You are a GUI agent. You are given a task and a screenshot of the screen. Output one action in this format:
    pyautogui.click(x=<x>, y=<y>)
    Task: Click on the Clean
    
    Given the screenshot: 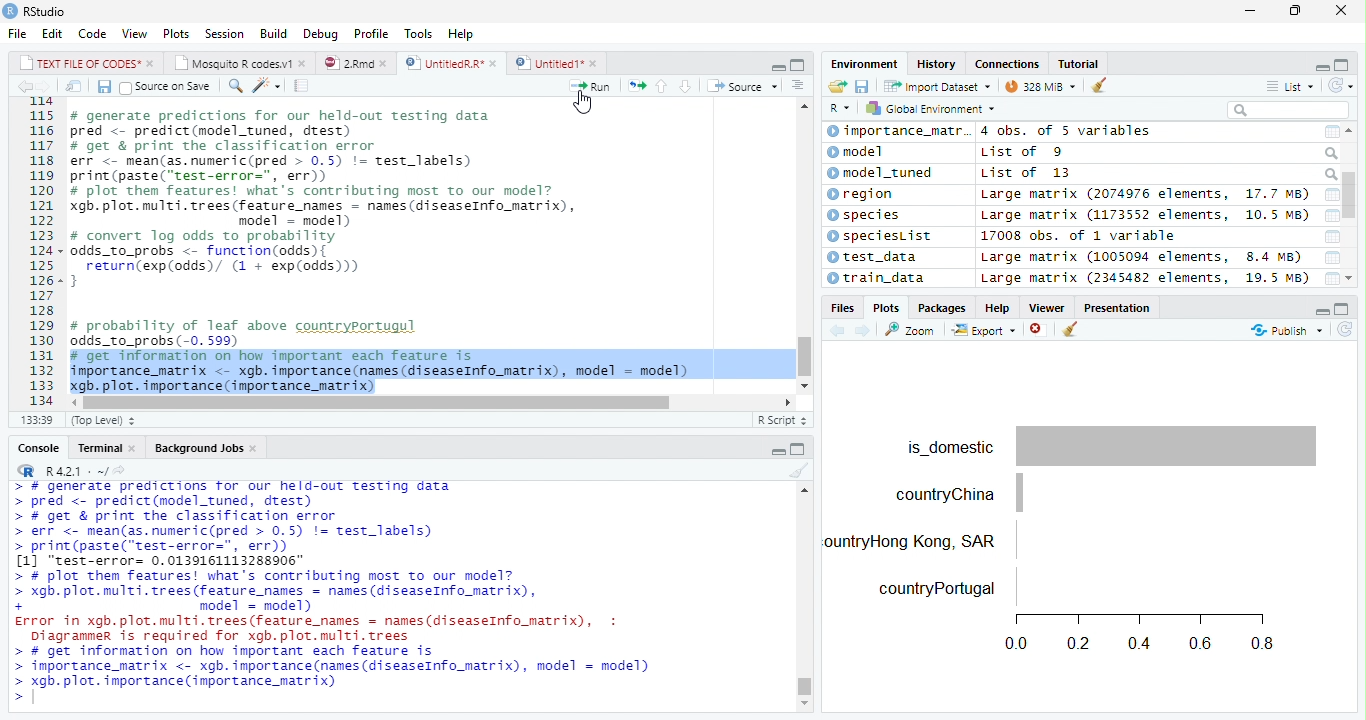 What is the action you would take?
    pyautogui.click(x=795, y=471)
    